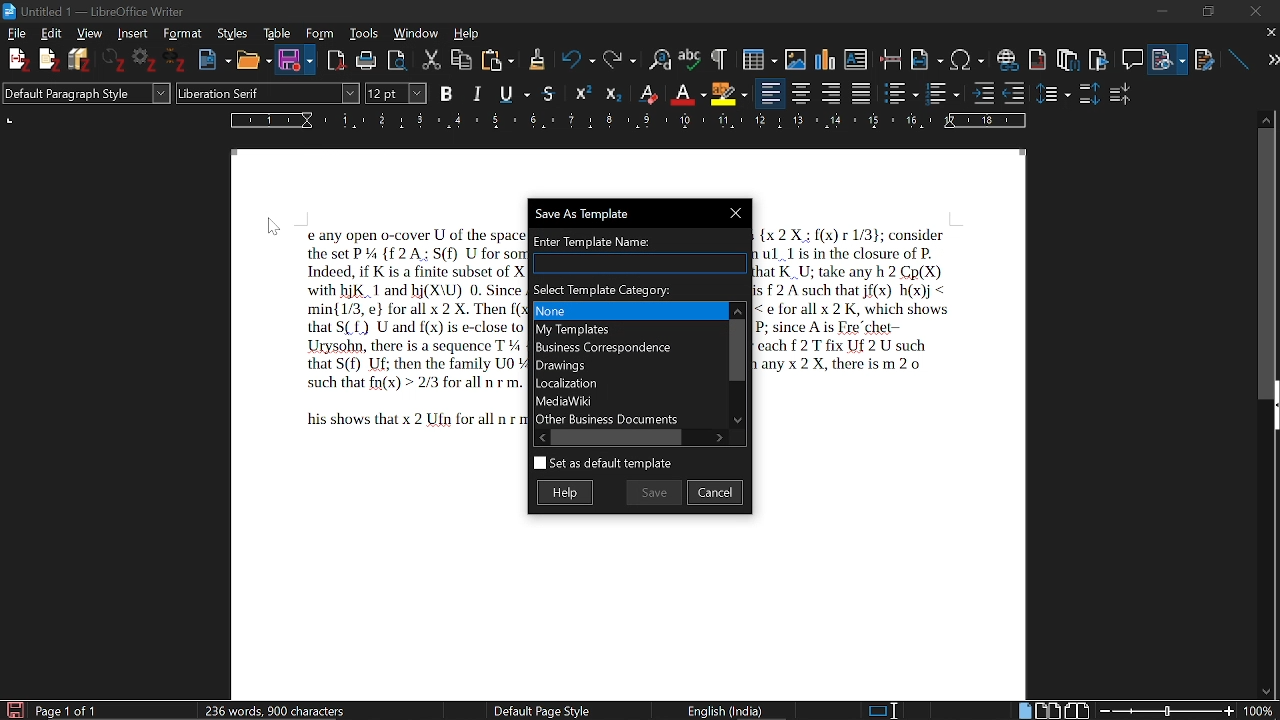  I want to click on standard selection, so click(884, 710).